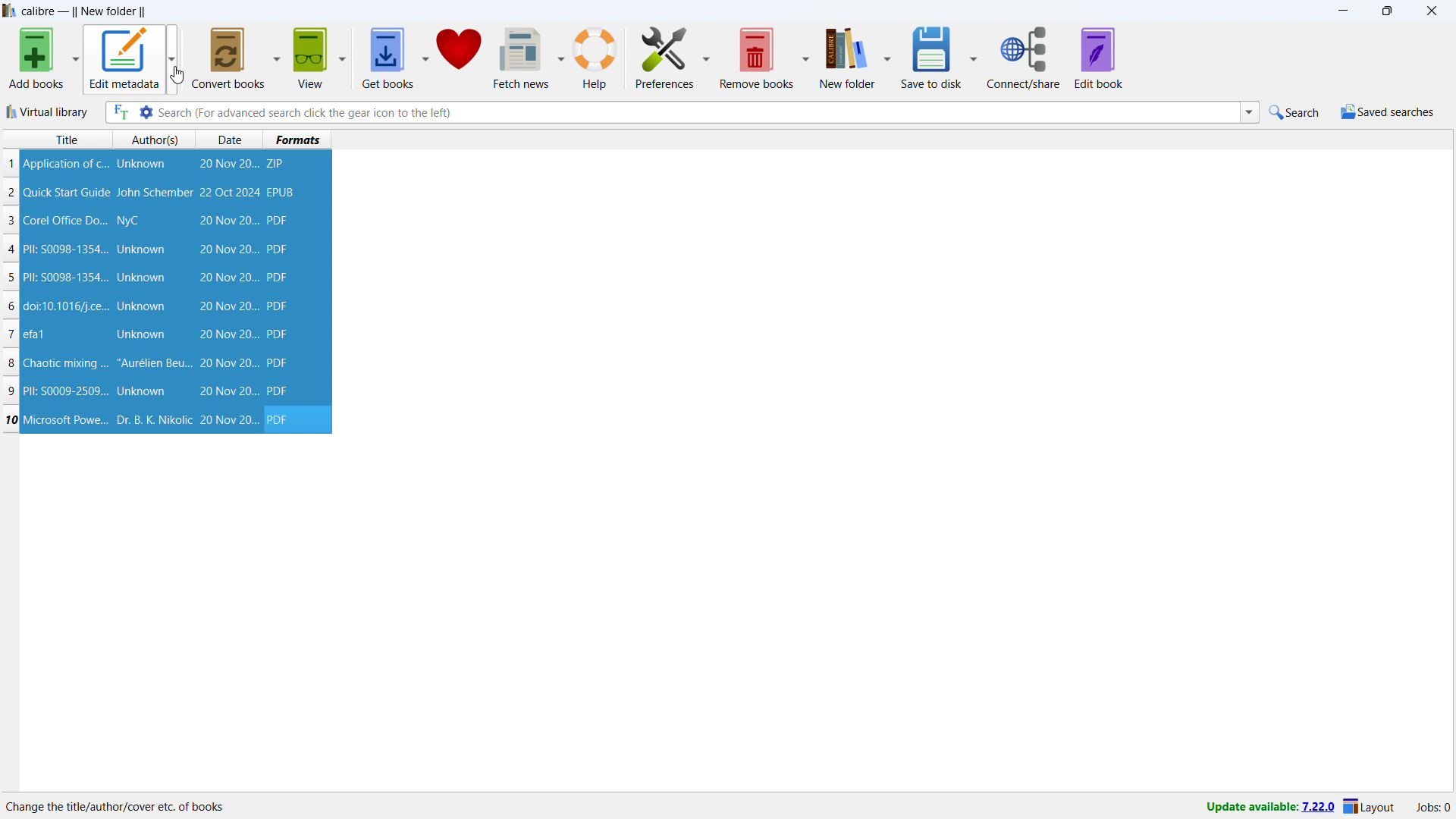 This screenshot has width=1456, height=819. What do you see at coordinates (36, 58) in the screenshot?
I see `add books` at bounding box center [36, 58].